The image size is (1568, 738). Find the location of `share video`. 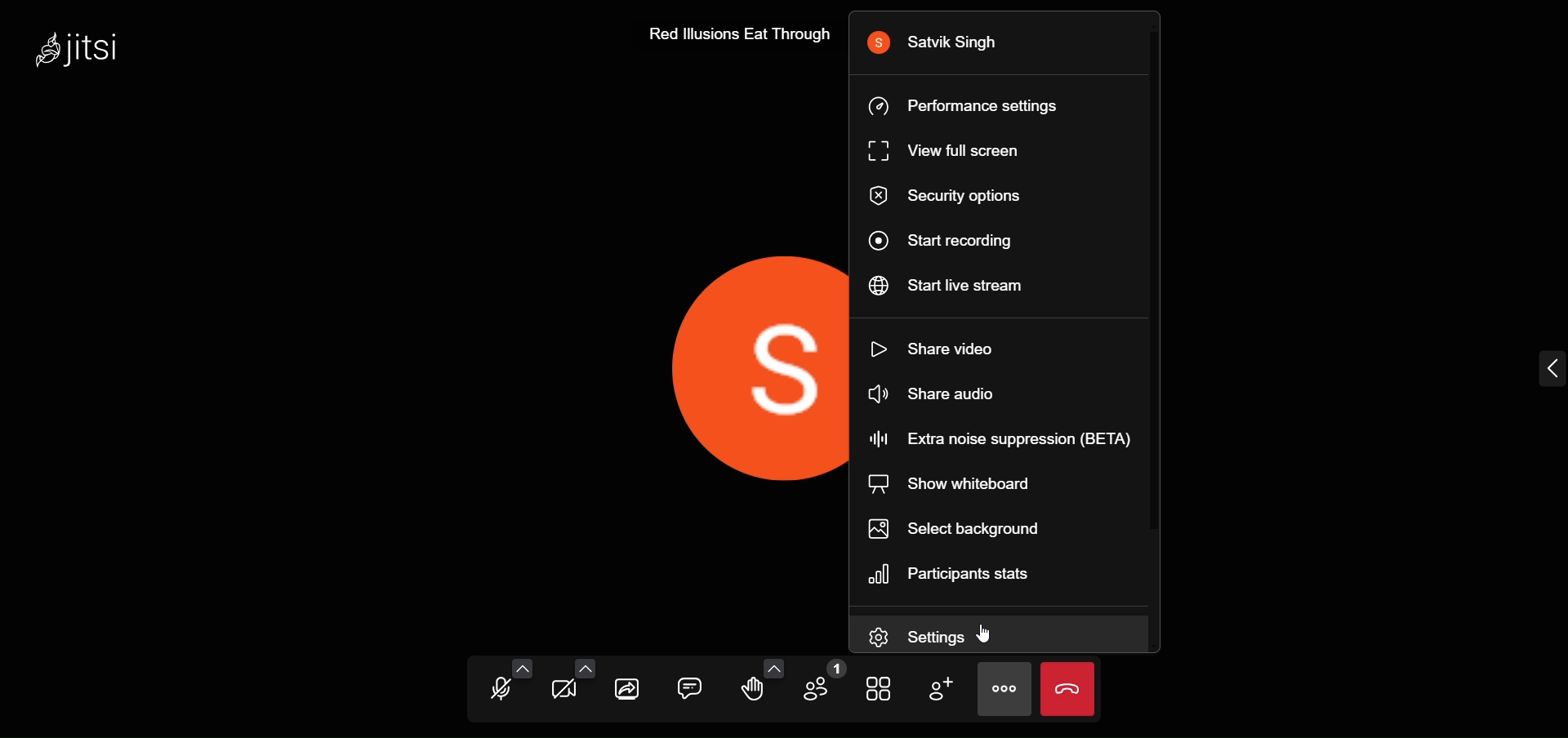

share video is located at coordinates (942, 346).